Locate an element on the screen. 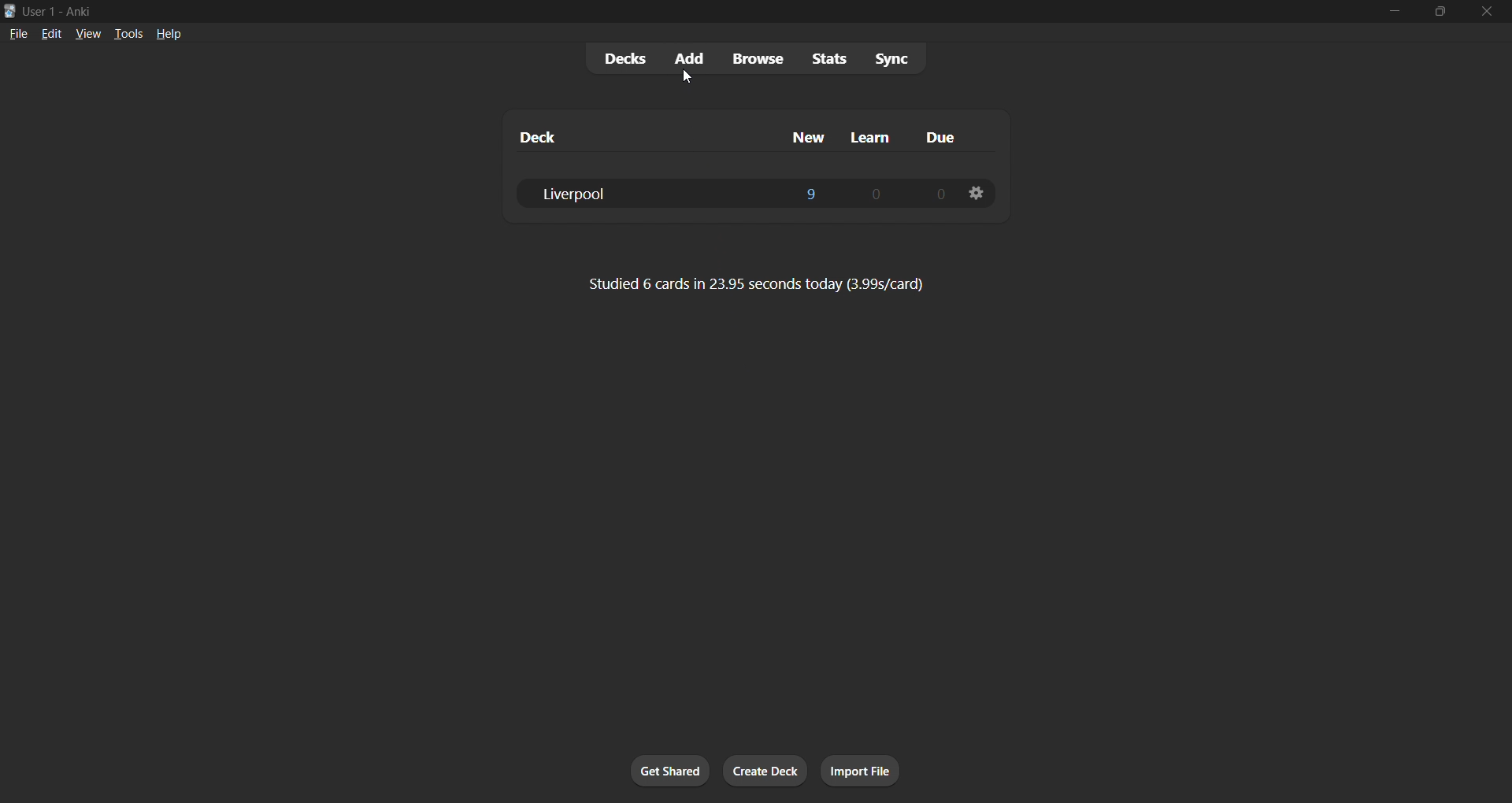  learn column is located at coordinates (876, 136).